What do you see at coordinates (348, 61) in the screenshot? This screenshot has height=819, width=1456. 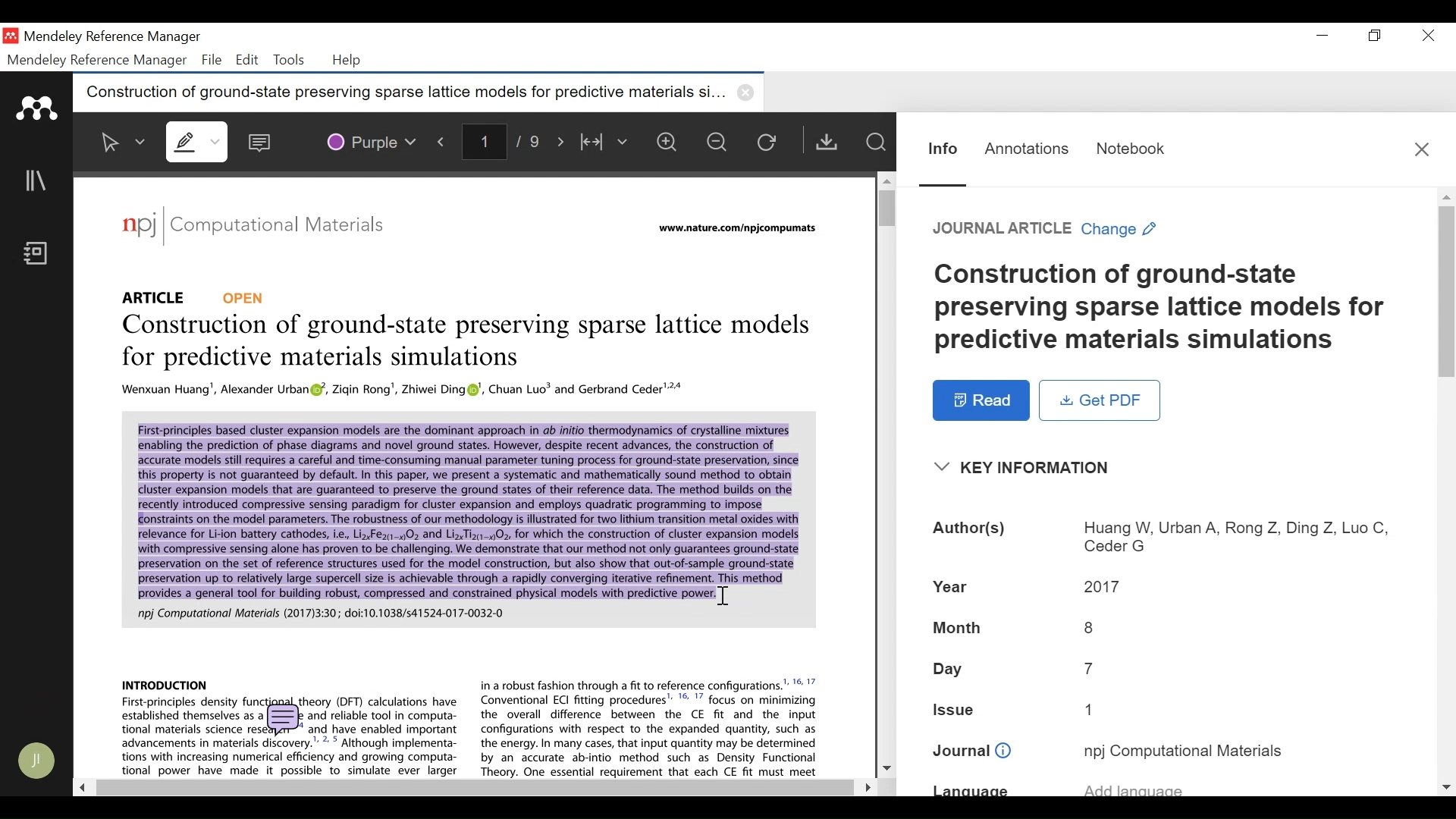 I see `Help` at bounding box center [348, 61].